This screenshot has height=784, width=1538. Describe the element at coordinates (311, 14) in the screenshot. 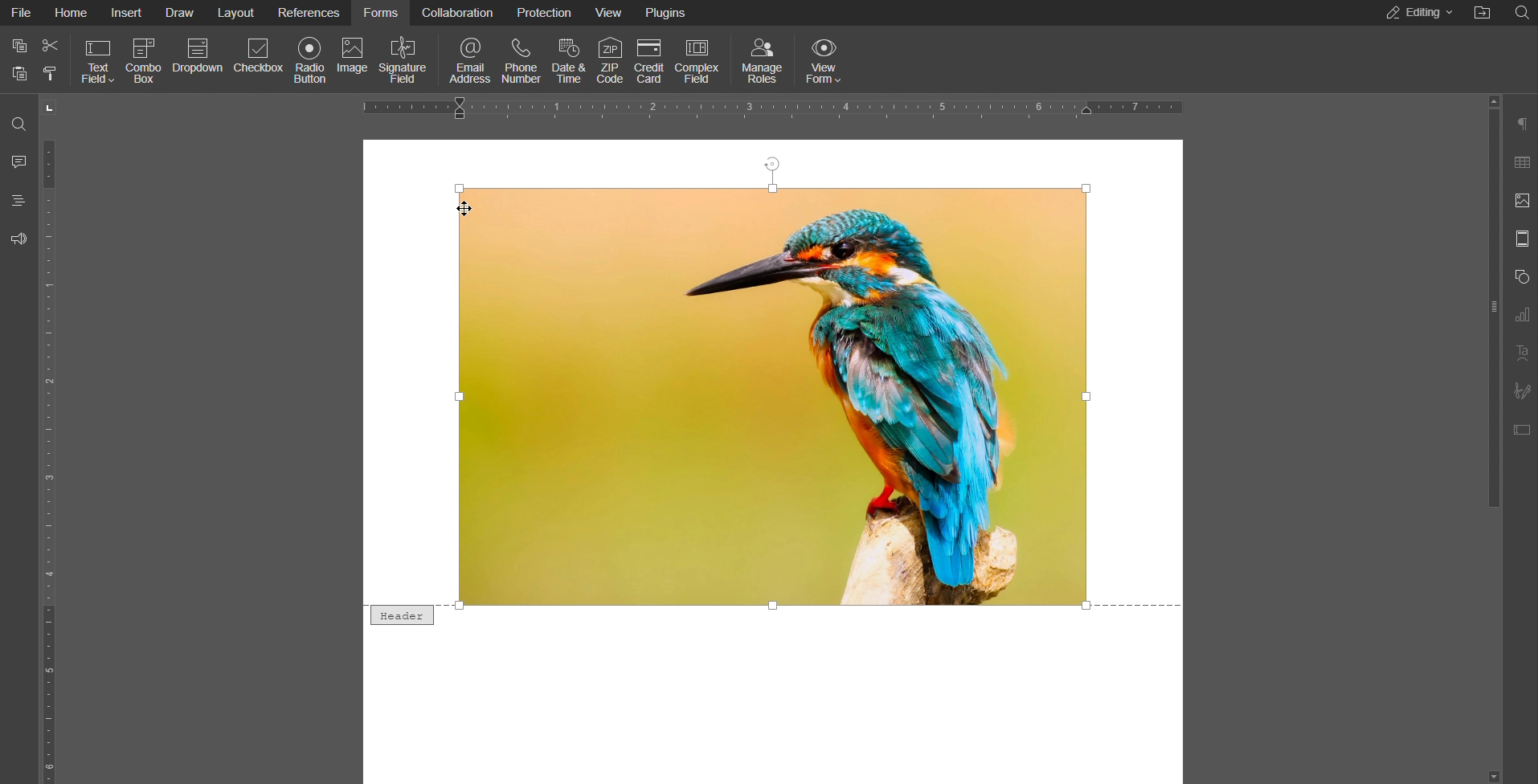

I see `References` at that location.